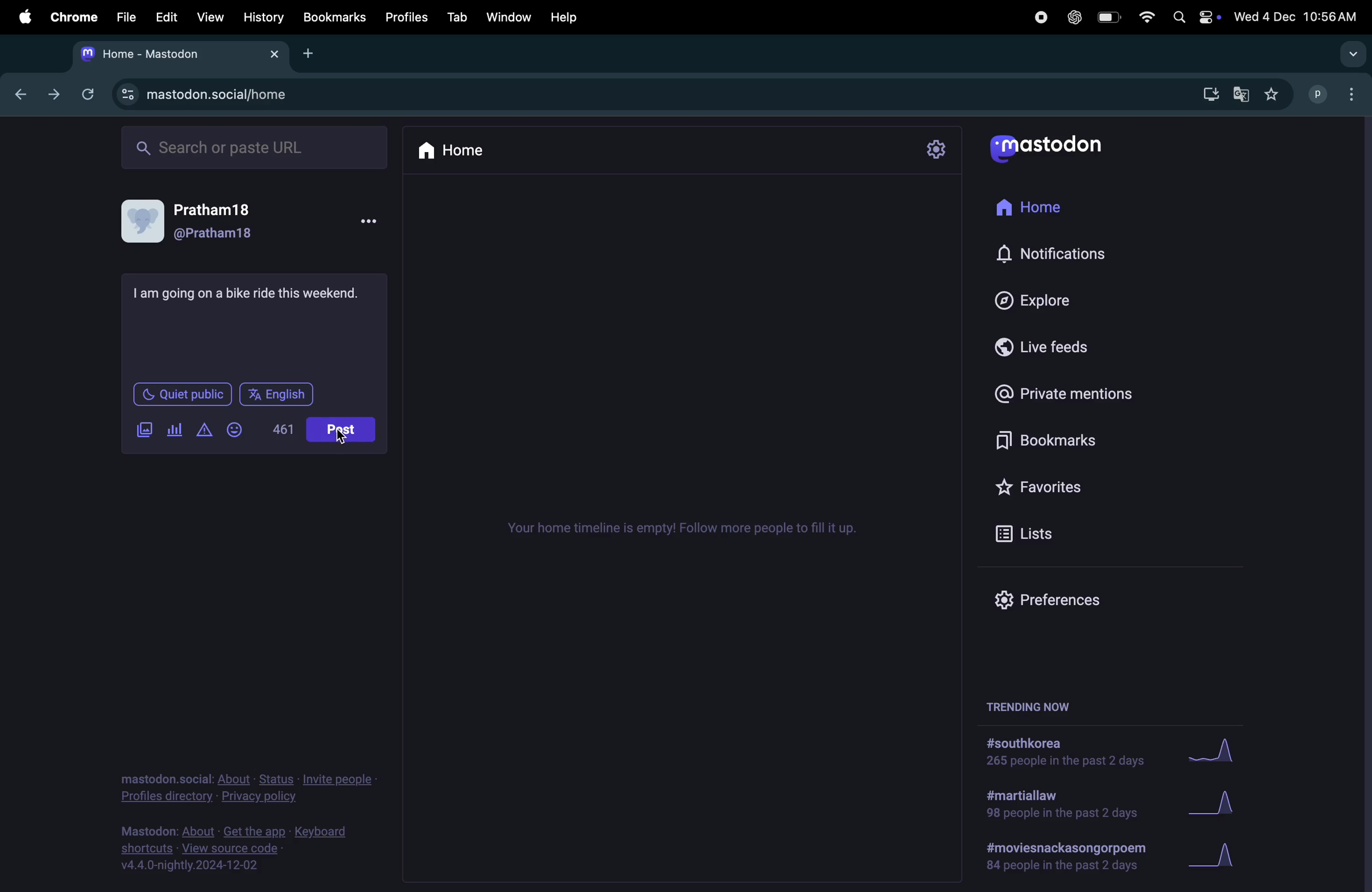 This screenshot has width=1372, height=892. I want to click on Graph, so click(1222, 750).